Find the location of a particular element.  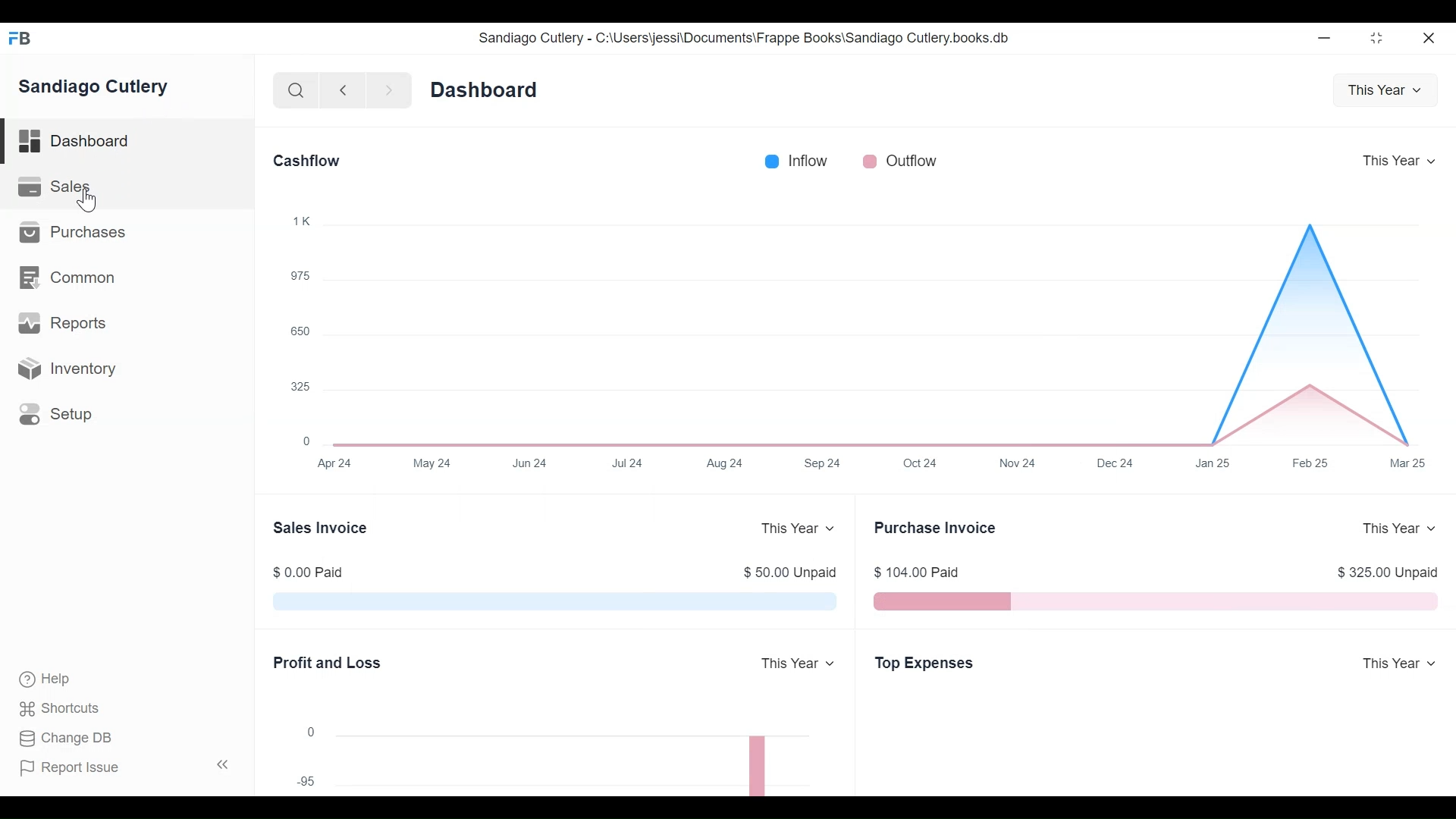

Dashboard is located at coordinates (485, 88).